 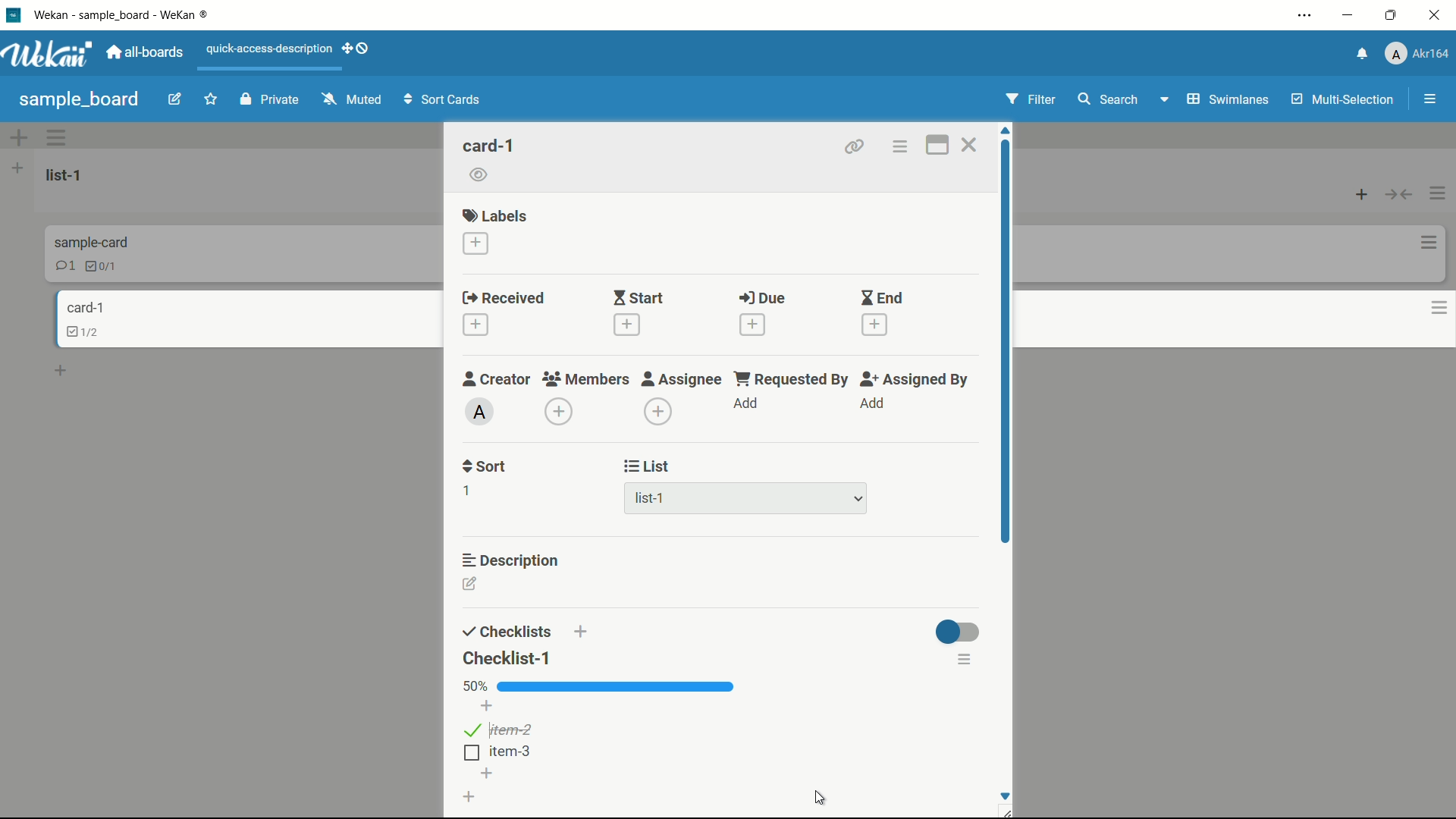 What do you see at coordinates (767, 299) in the screenshot?
I see `due` at bounding box center [767, 299].